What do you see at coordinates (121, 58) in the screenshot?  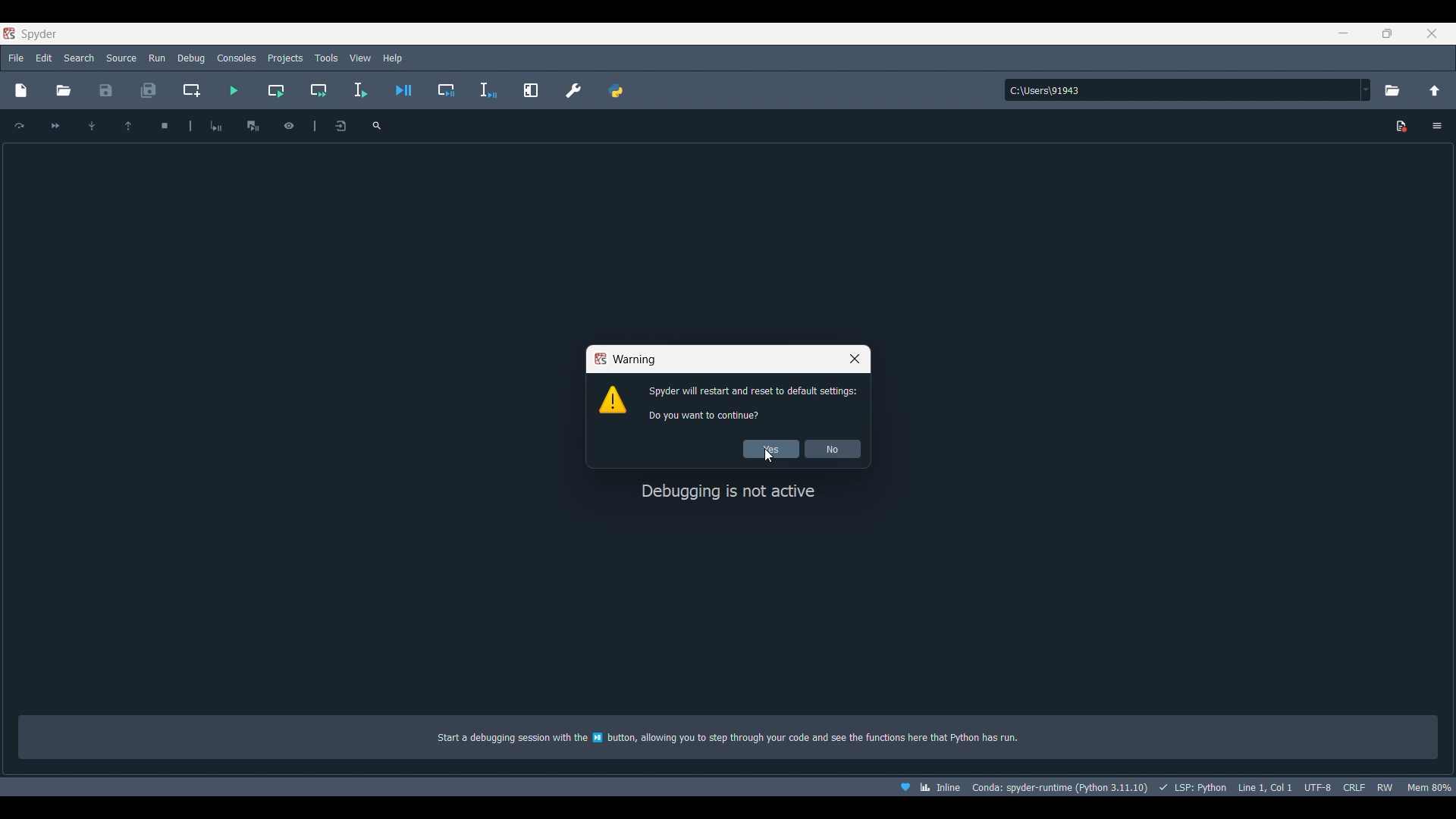 I see `Source menu` at bounding box center [121, 58].